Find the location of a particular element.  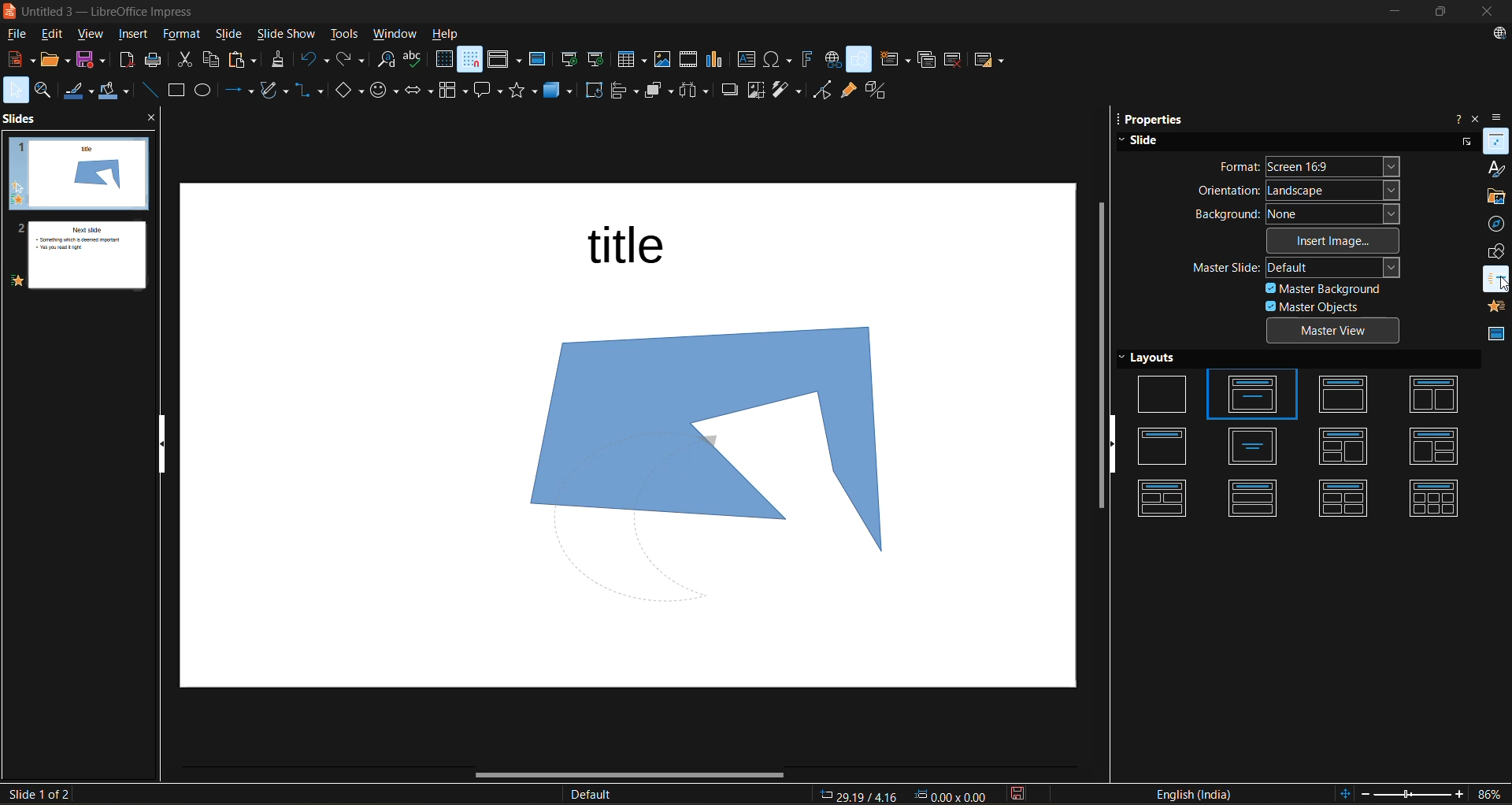

new slide is located at coordinates (898, 60).